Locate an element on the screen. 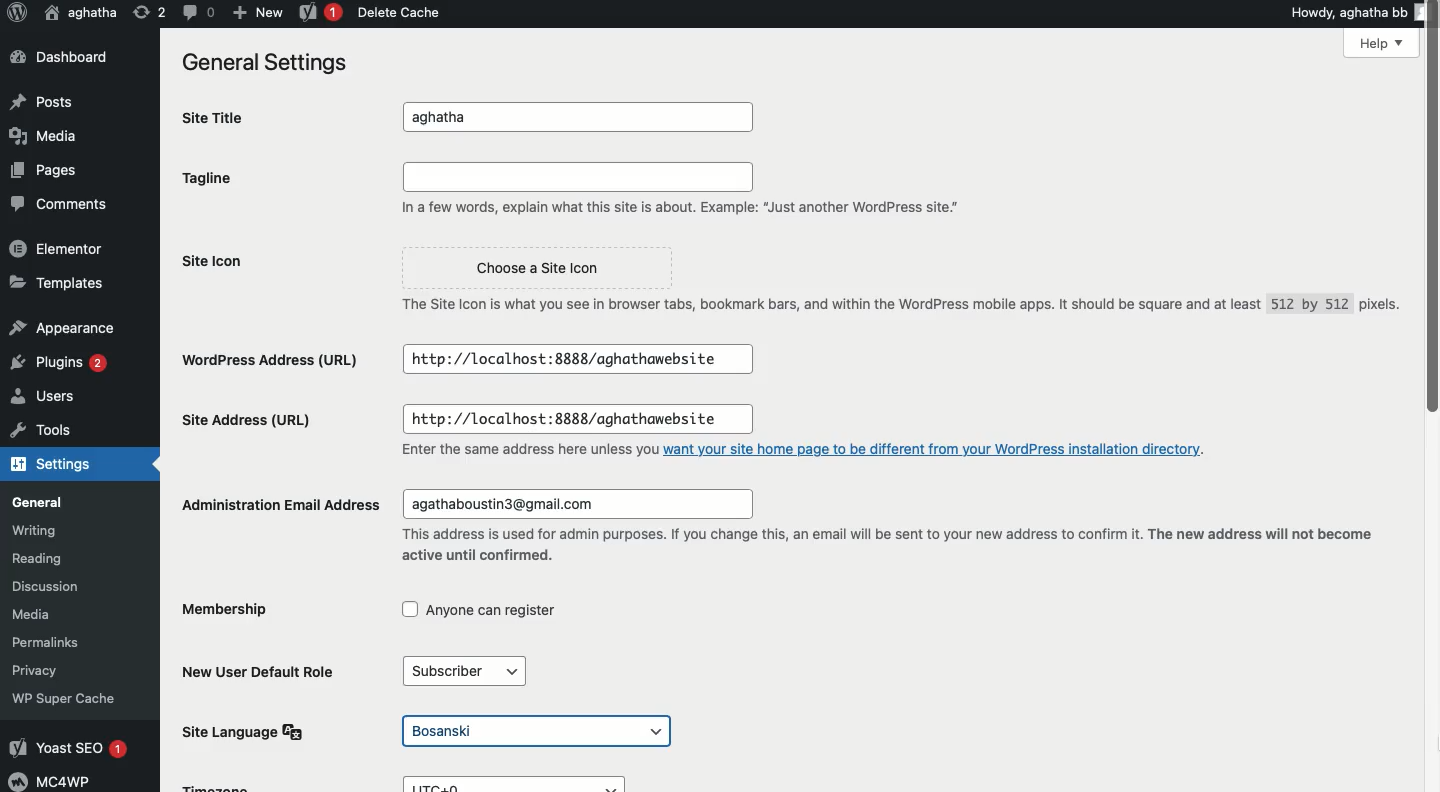 This screenshot has width=1440, height=792. agathaboustin3@gmail.com is located at coordinates (573, 505).